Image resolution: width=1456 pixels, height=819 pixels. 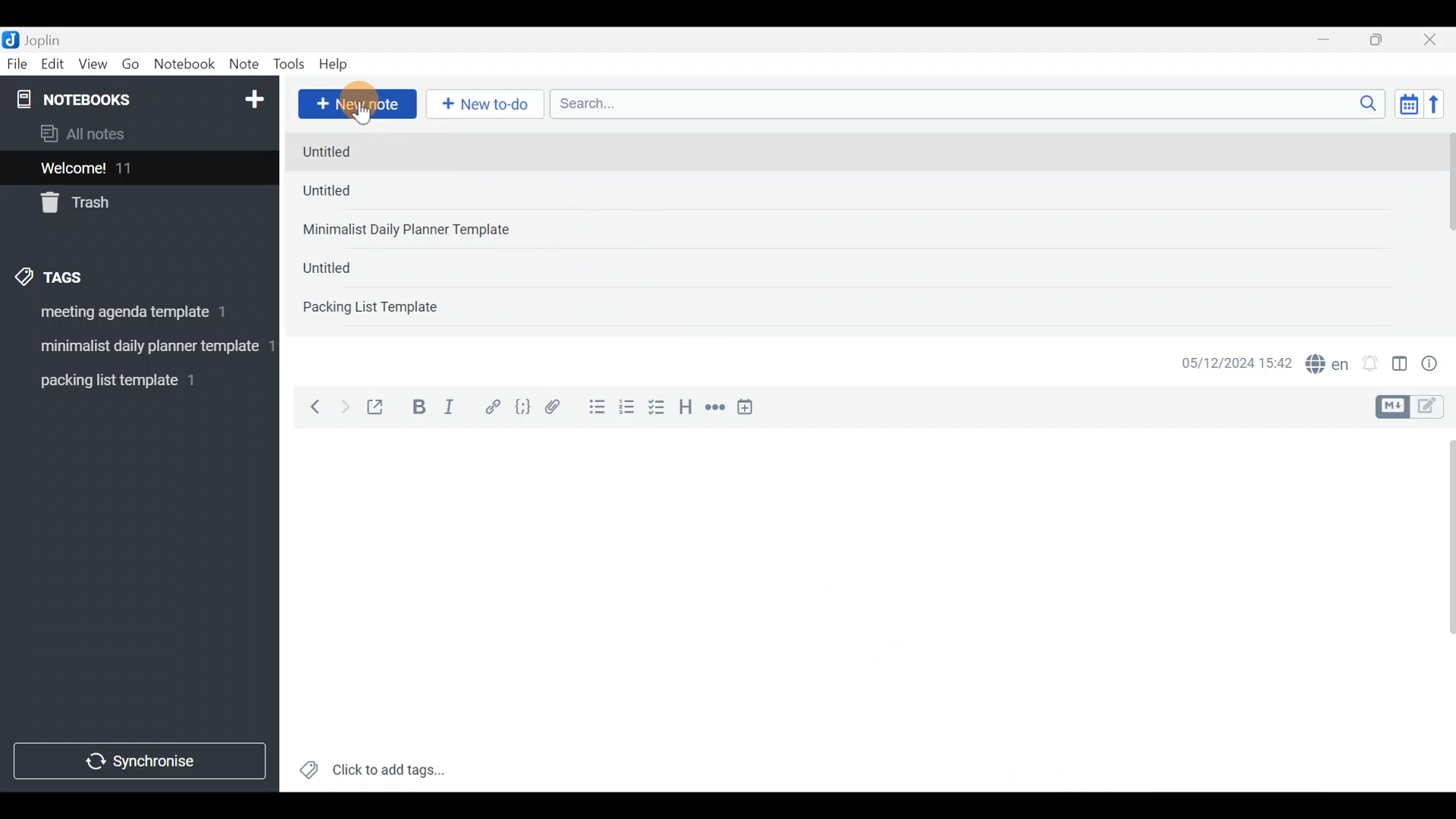 What do you see at coordinates (594, 408) in the screenshot?
I see `Bulleted list` at bounding box center [594, 408].